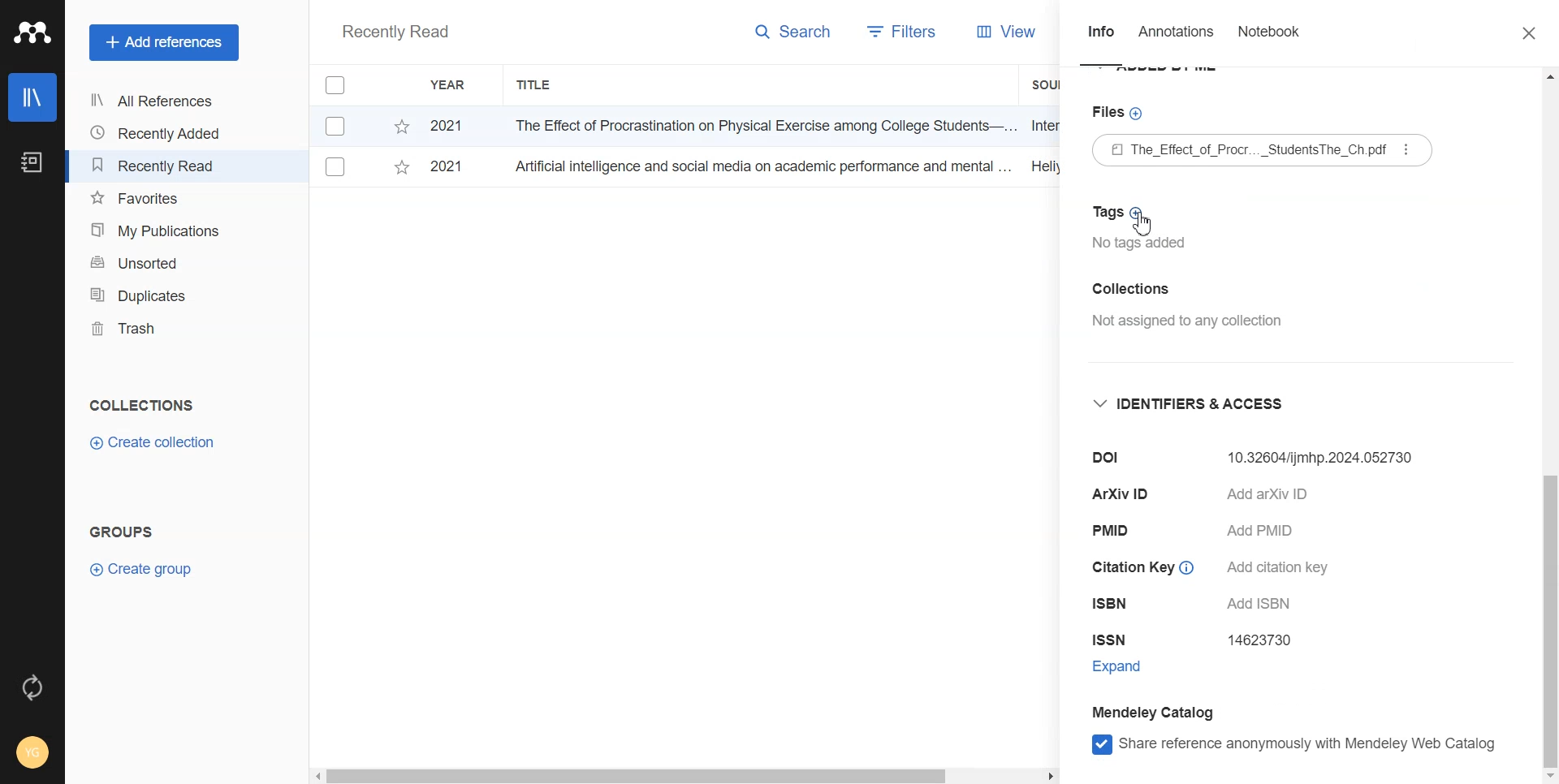 Image resolution: width=1559 pixels, height=784 pixels. Describe the element at coordinates (160, 261) in the screenshot. I see `Unsorted` at that location.